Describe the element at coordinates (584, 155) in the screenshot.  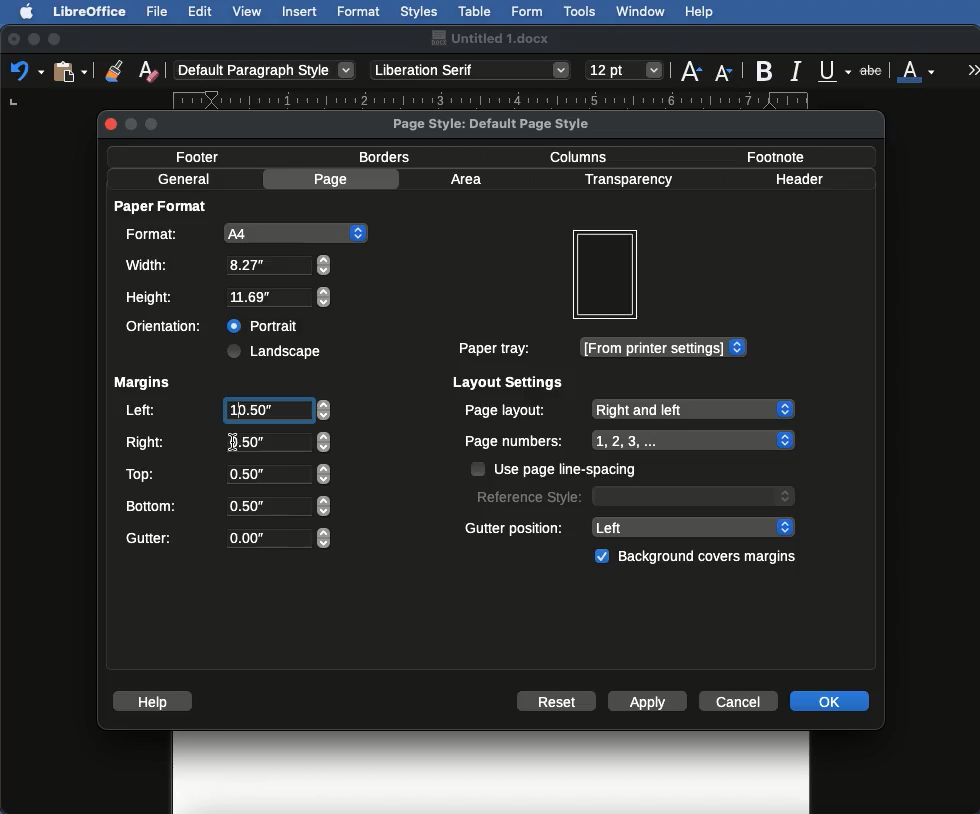
I see `Columns` at that location.